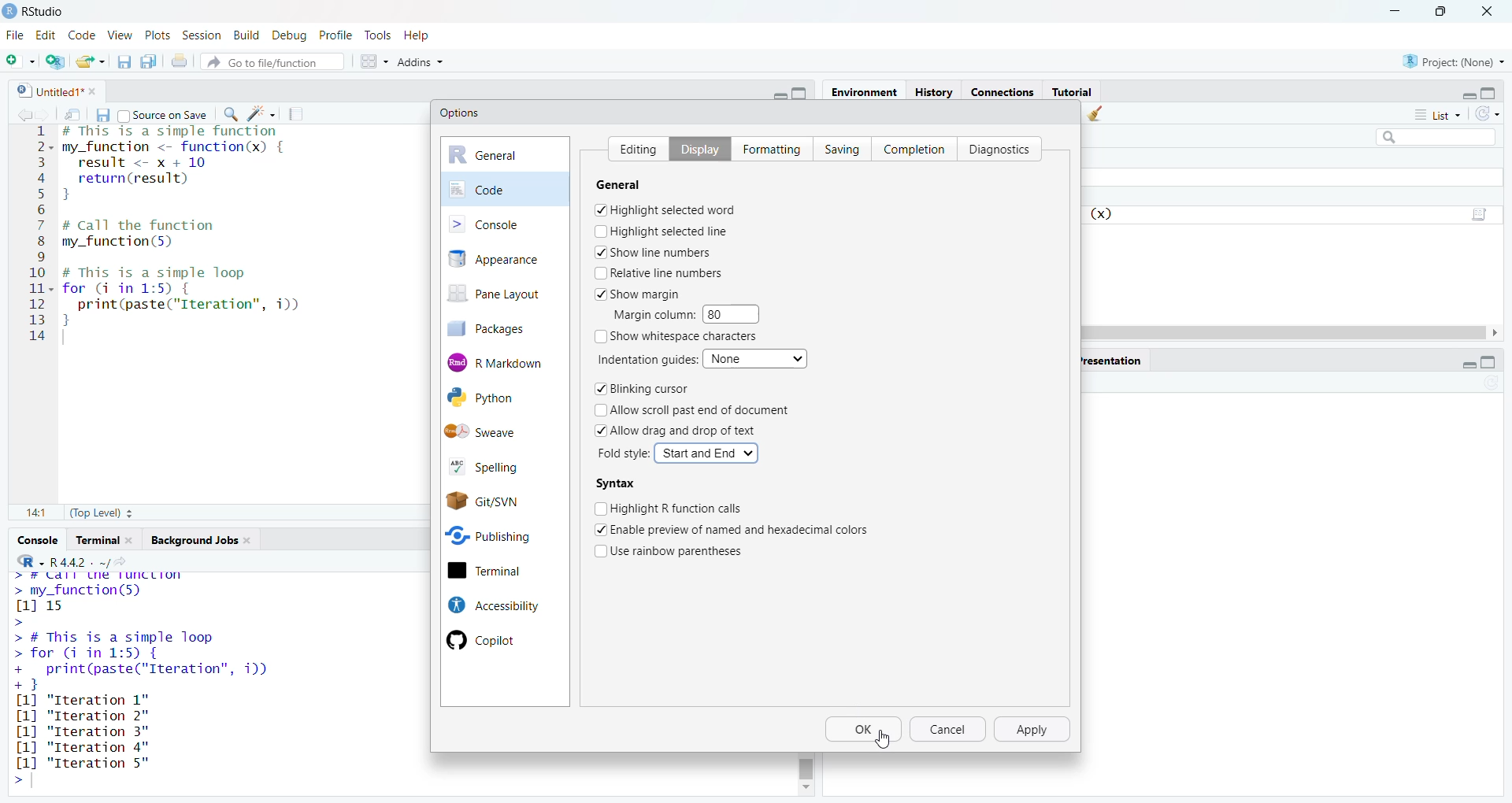 Image resolution: width=1512 pixels, height=803 pixels. What do you see at coordinates (461, 113) in the screenshot?
I see `Options` at bounding box center [461, 113].